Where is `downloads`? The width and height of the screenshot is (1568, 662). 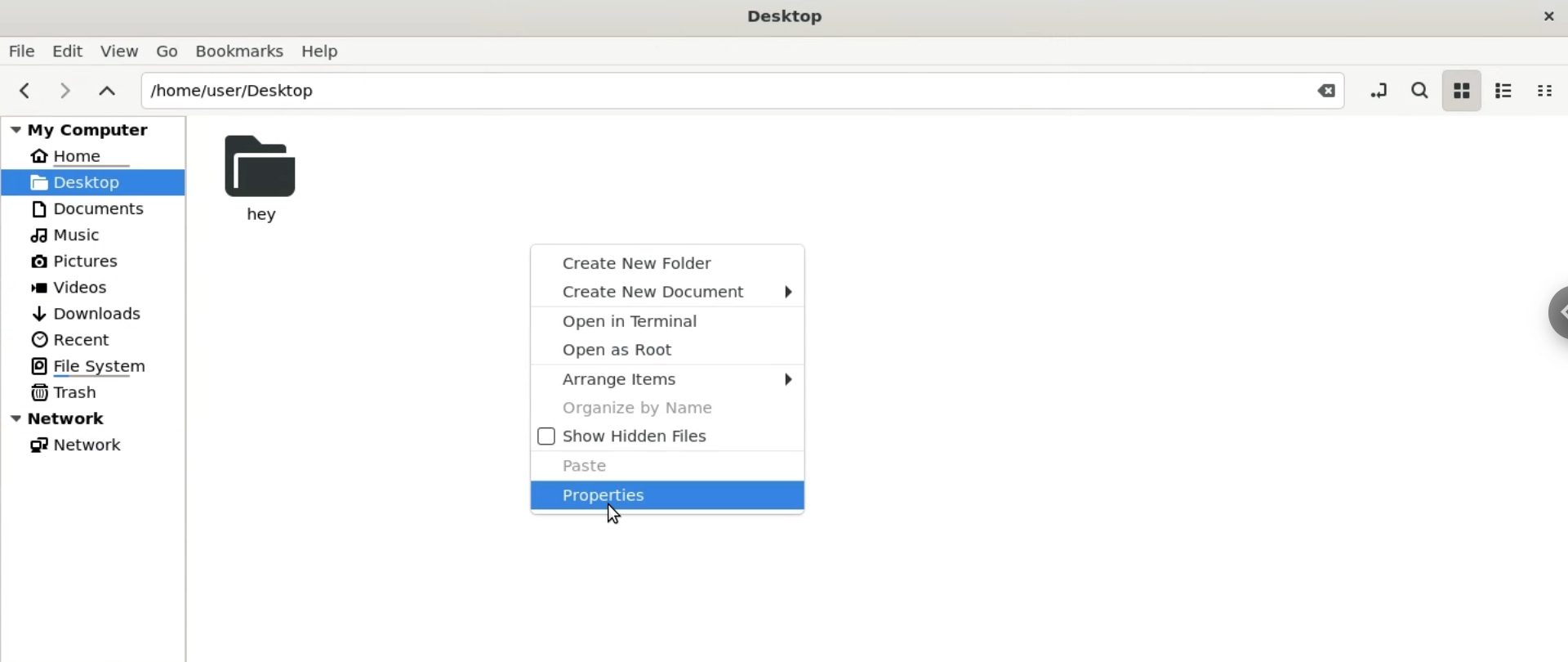
downloads is located at coordinates (93, 313).